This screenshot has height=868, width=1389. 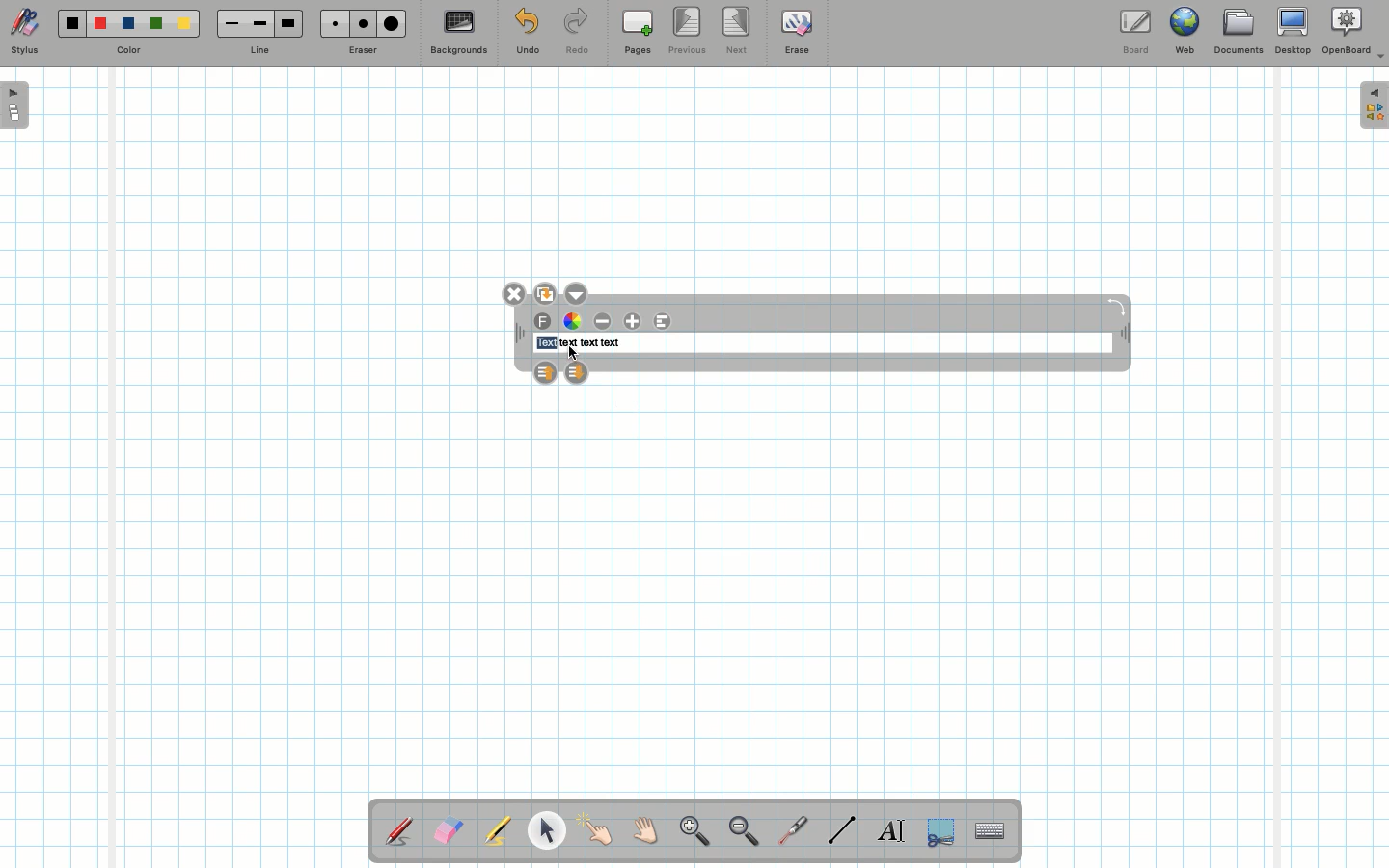 What do you see at coordinates (259, 23) in the screenshot?
I see `Medium line` at bounding box center [259, 23].